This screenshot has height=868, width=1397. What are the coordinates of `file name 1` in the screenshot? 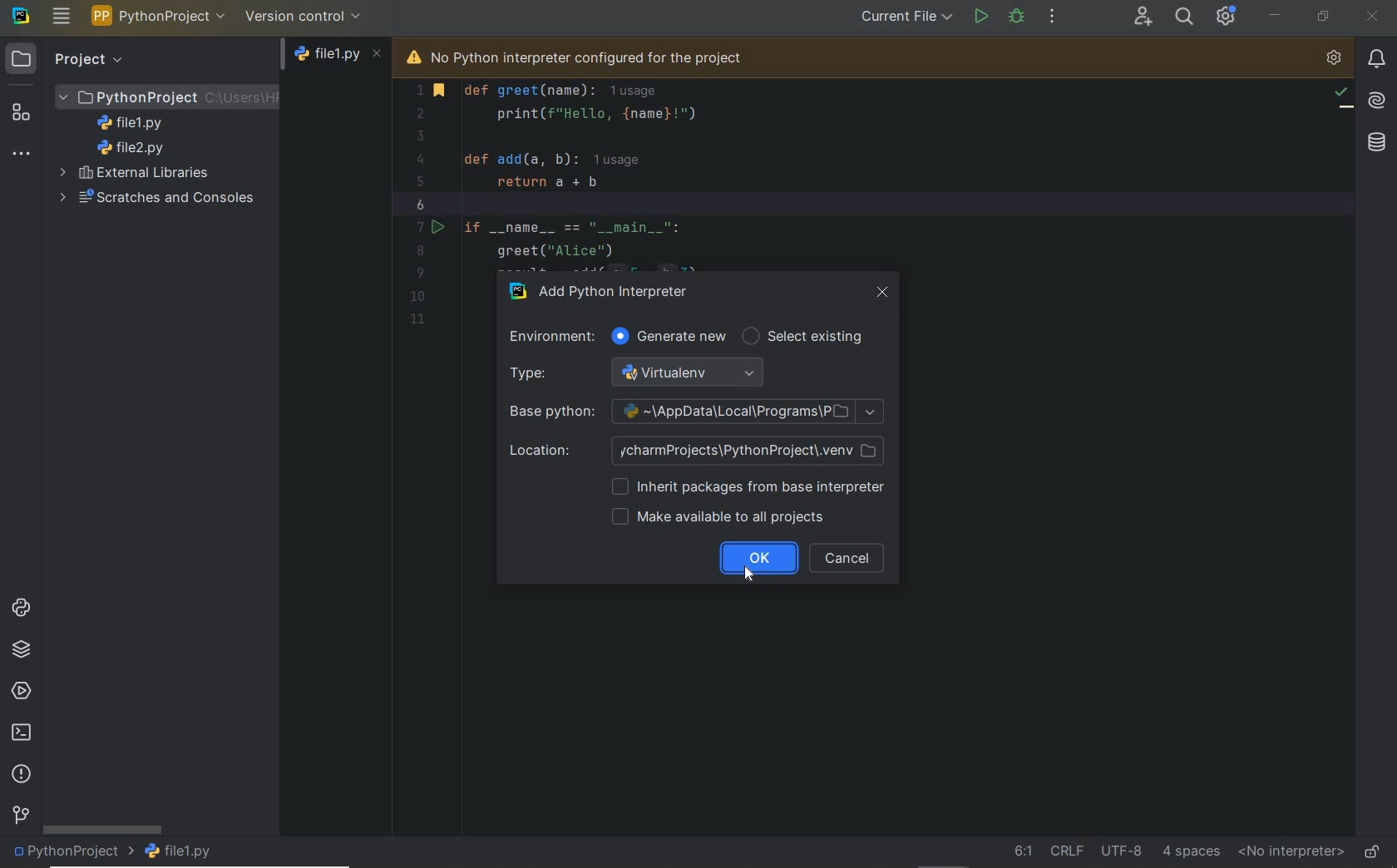 It's located at (135, 123).